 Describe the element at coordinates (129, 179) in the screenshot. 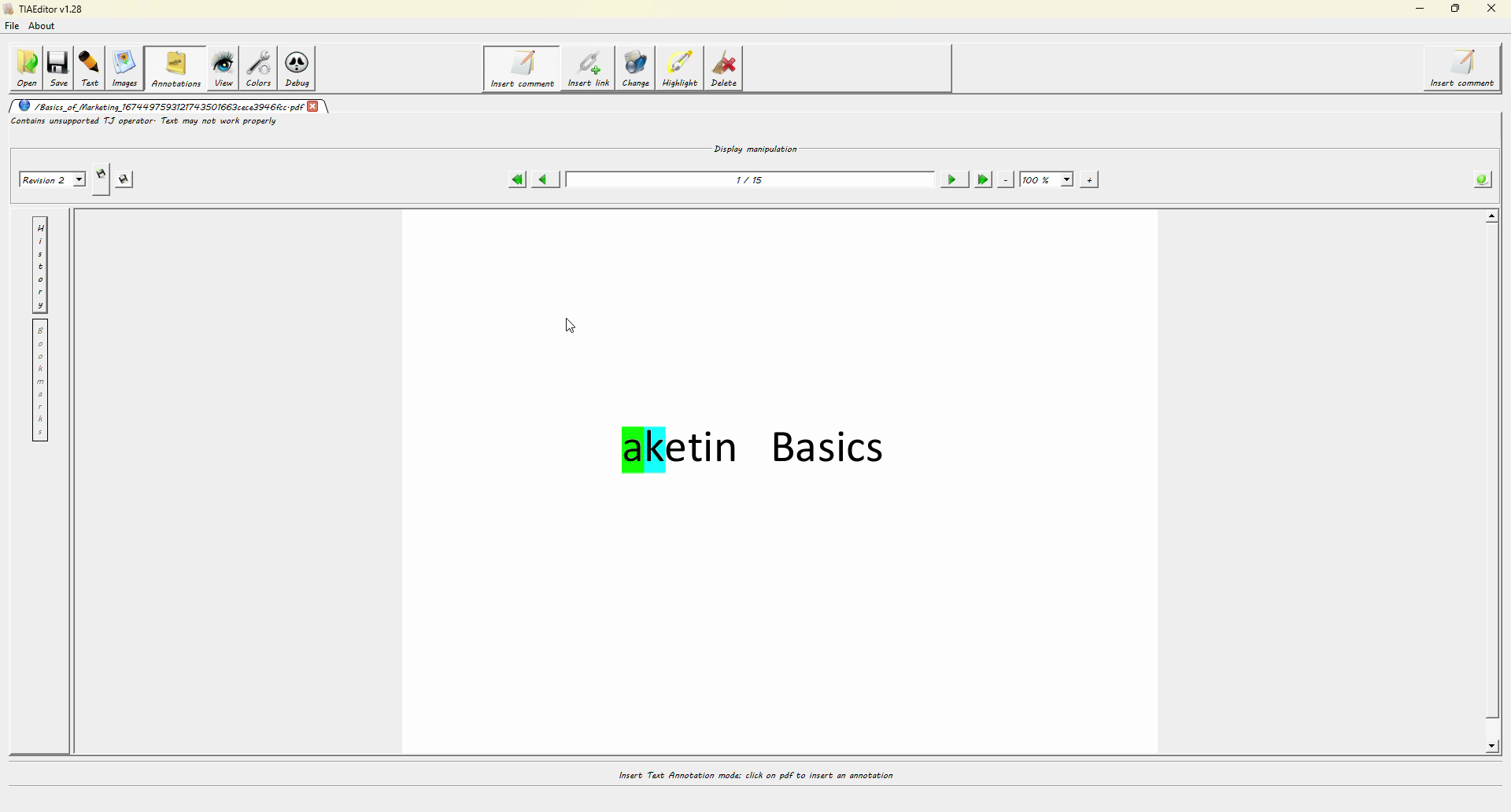

I see `saves this revision` at that location.